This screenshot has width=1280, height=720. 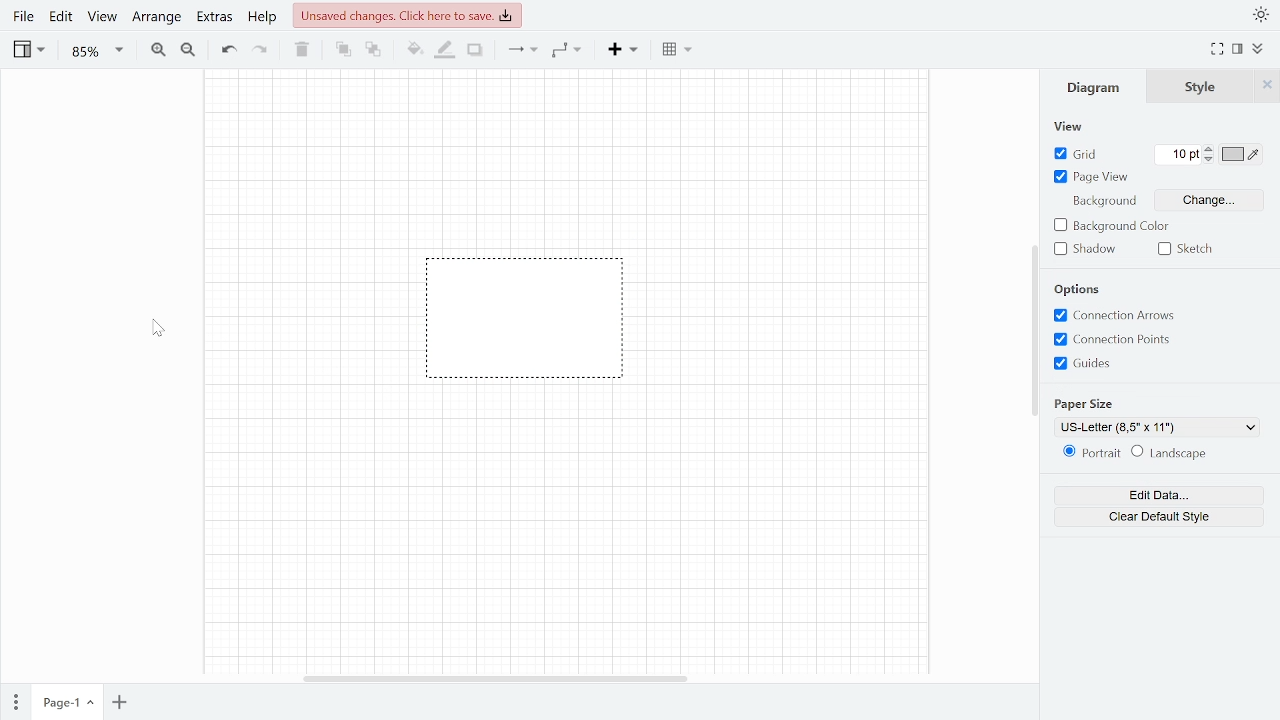 I want to click on Background color, so click(x=1125, y=227).